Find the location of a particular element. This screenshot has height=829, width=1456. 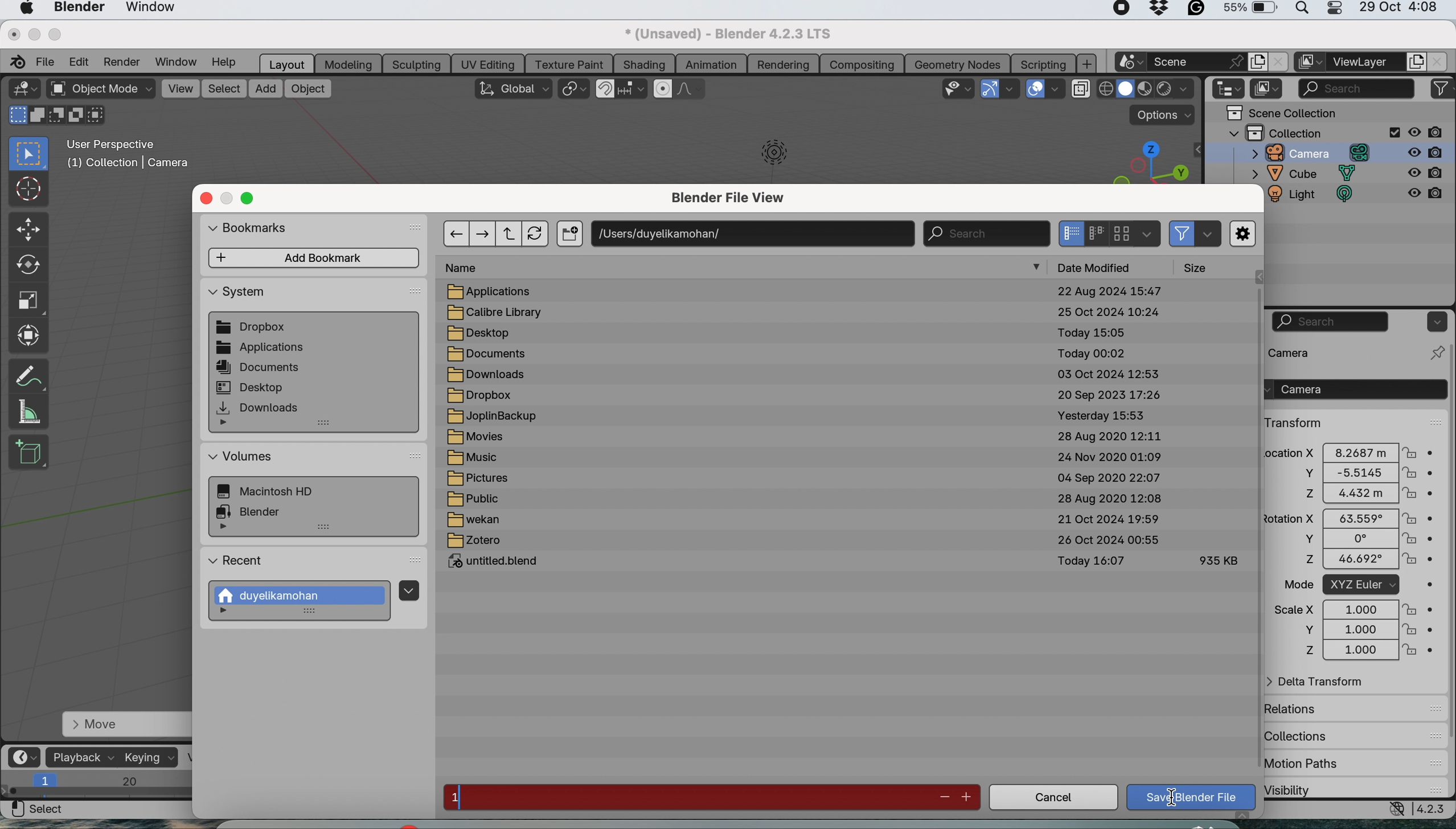

close is located at coordinates (206, 198).